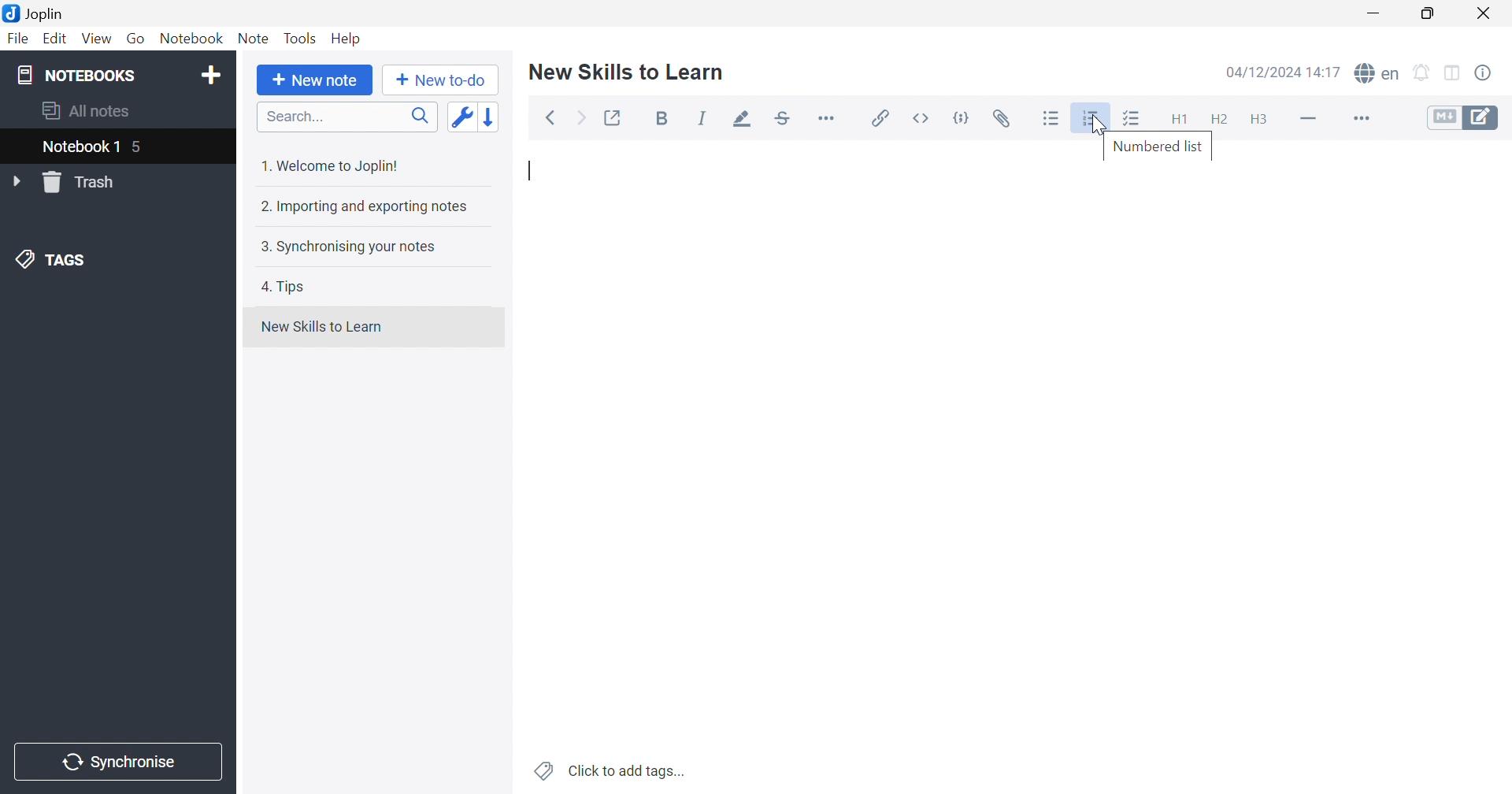 This screenshot has height=794, width=1512. What do you see at coordinates (492, 117) in the screenshot?
I see `Reverse sort order` at bounding box center [492, 117].